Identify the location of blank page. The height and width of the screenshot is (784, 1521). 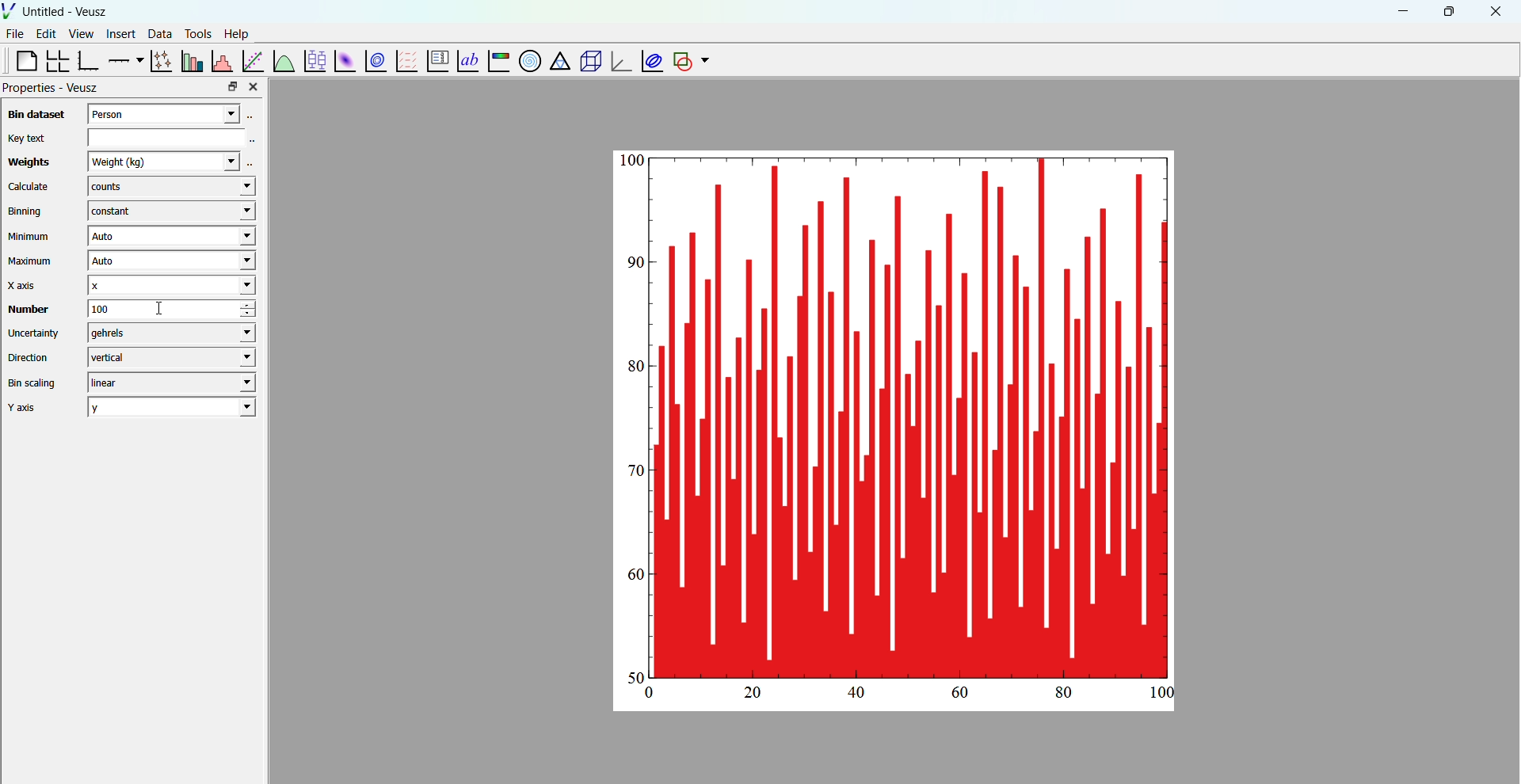
(20, 60).